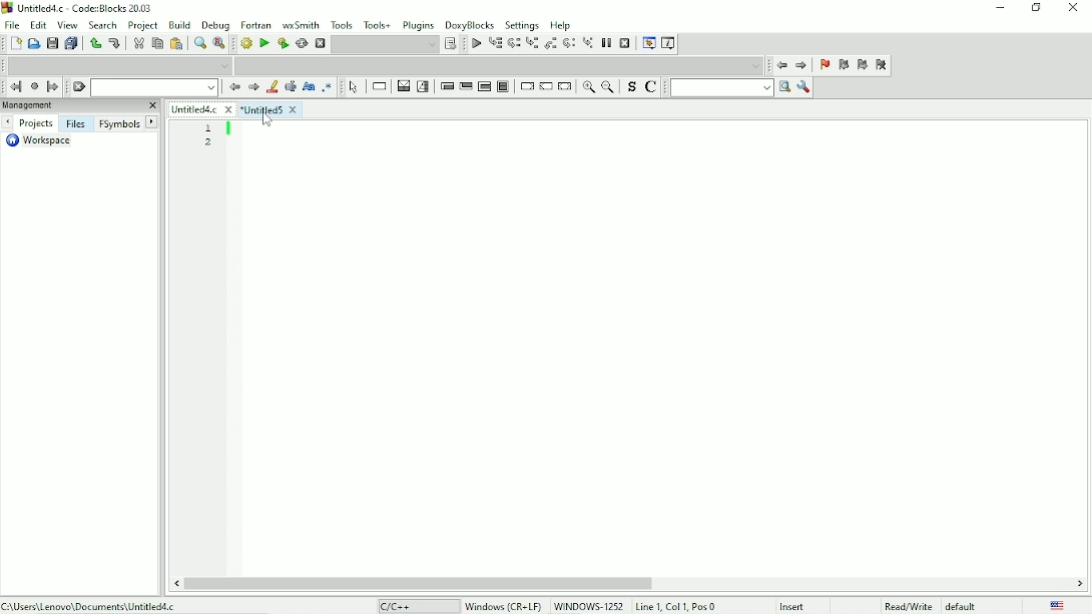 This screenshot has height=614, width=1092. What do you see at coordinates (526, 87) in the screenshot?
I see `Break-instruction` at bounding box center [526, 87].